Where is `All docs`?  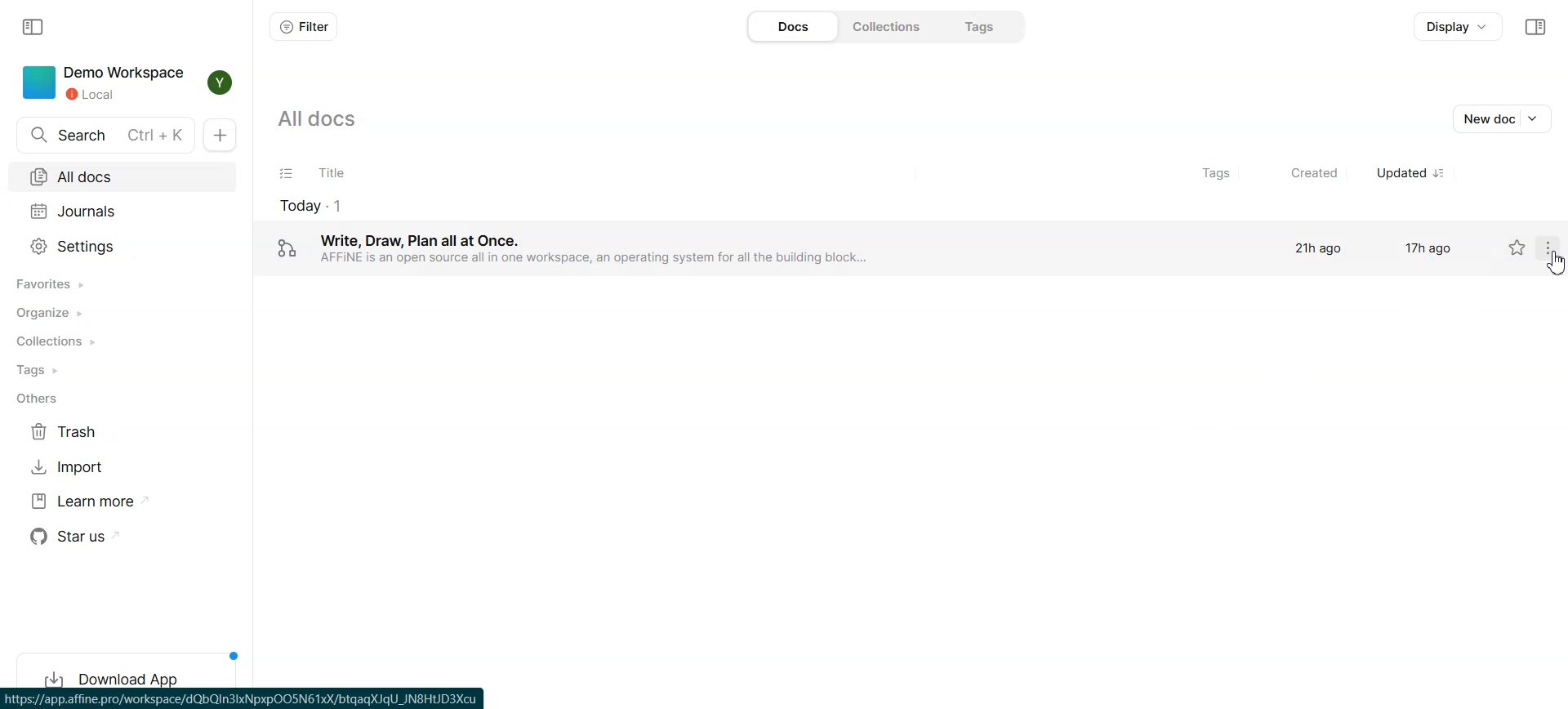
All docs is located at coordinates (122, 178).